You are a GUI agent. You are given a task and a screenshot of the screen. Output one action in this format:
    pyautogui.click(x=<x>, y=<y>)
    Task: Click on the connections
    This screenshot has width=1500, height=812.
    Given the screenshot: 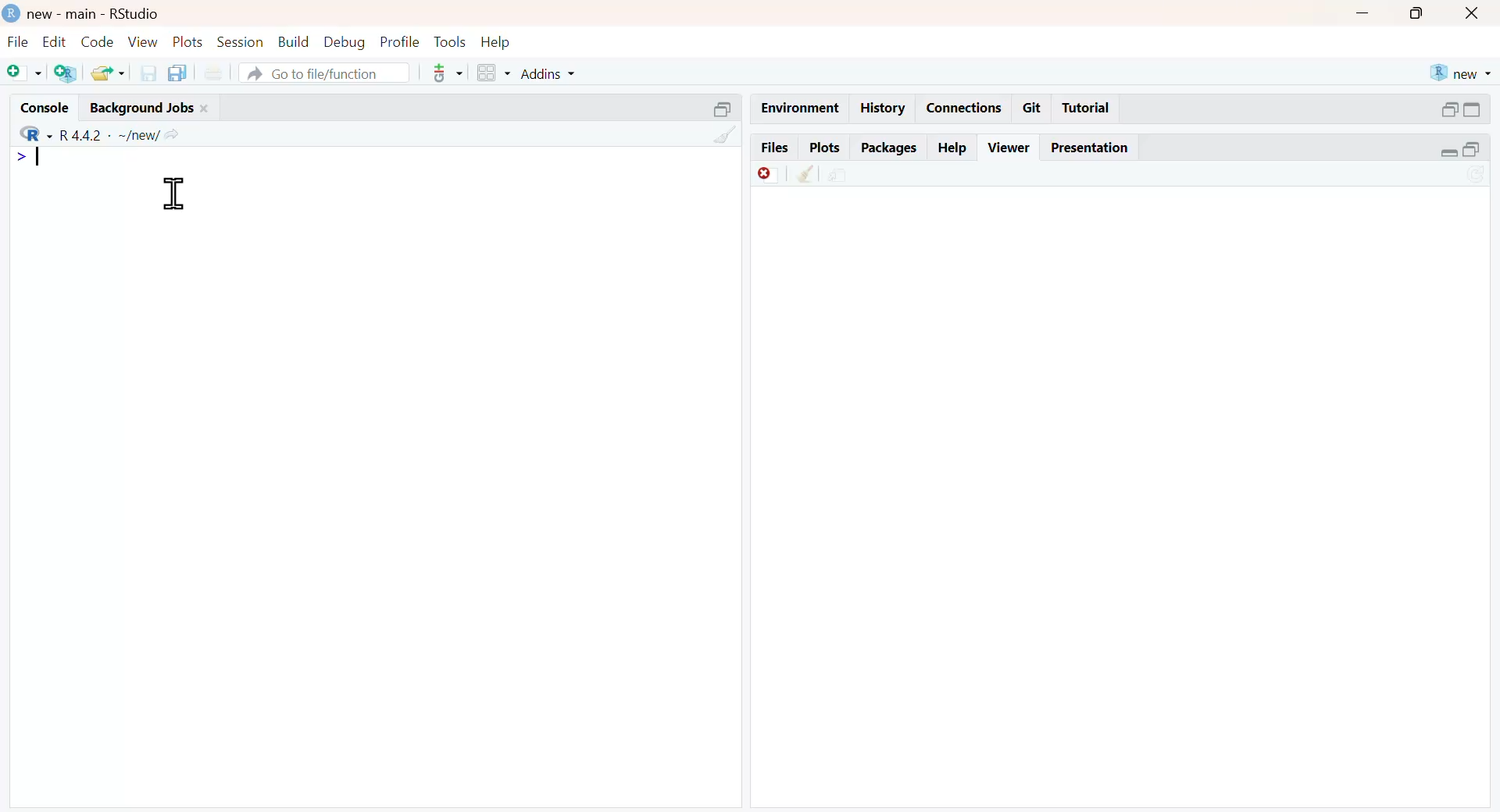 What is the action you would take?
    pyautogui.click(x=968, y=107)
    